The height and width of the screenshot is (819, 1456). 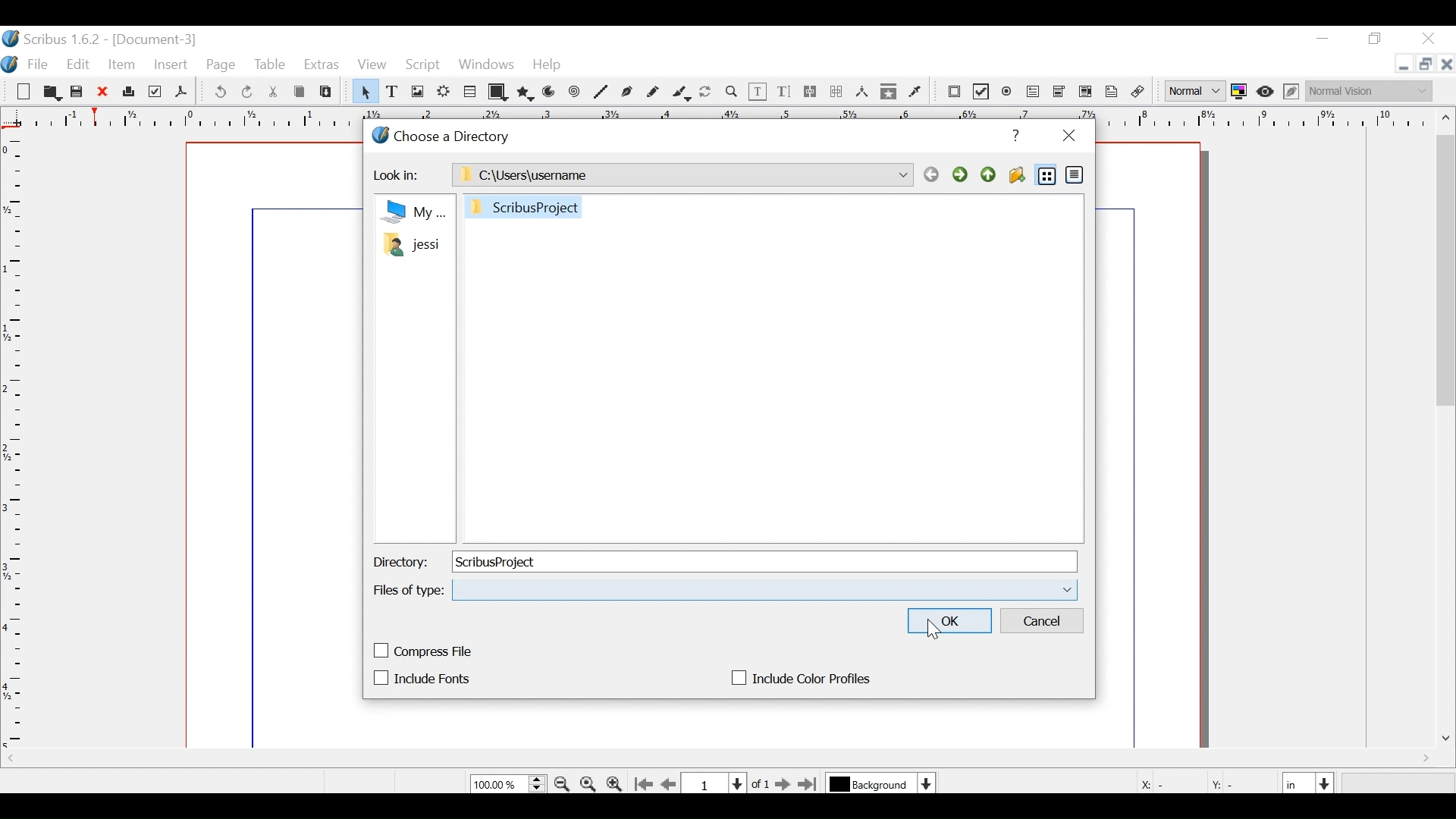 What do you see at coordinates (103, 93) in the screenshot?
I see `Close` at bounding box center [103, 93].